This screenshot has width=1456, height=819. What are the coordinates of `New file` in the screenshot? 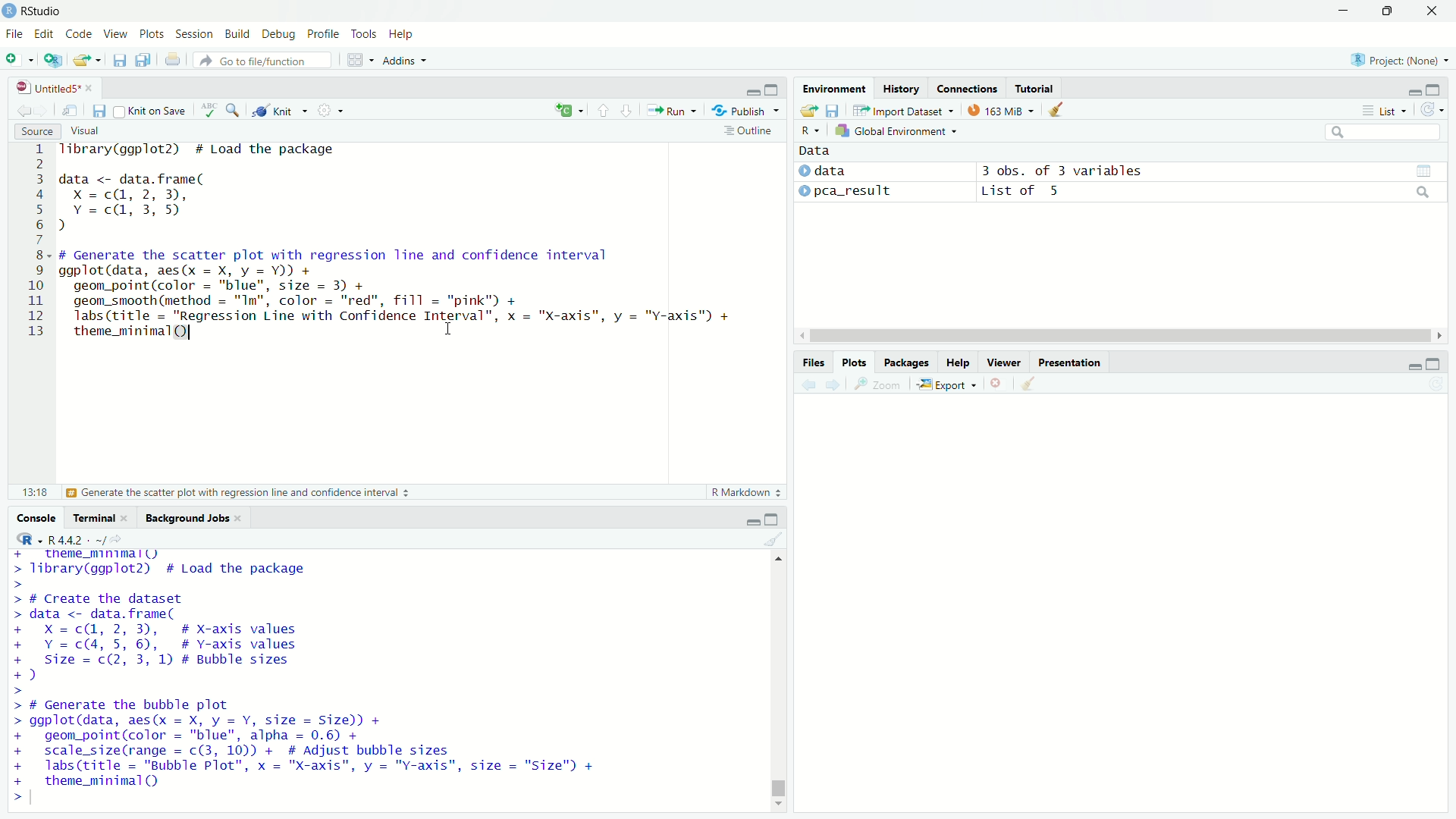 It's located at (18, 58).